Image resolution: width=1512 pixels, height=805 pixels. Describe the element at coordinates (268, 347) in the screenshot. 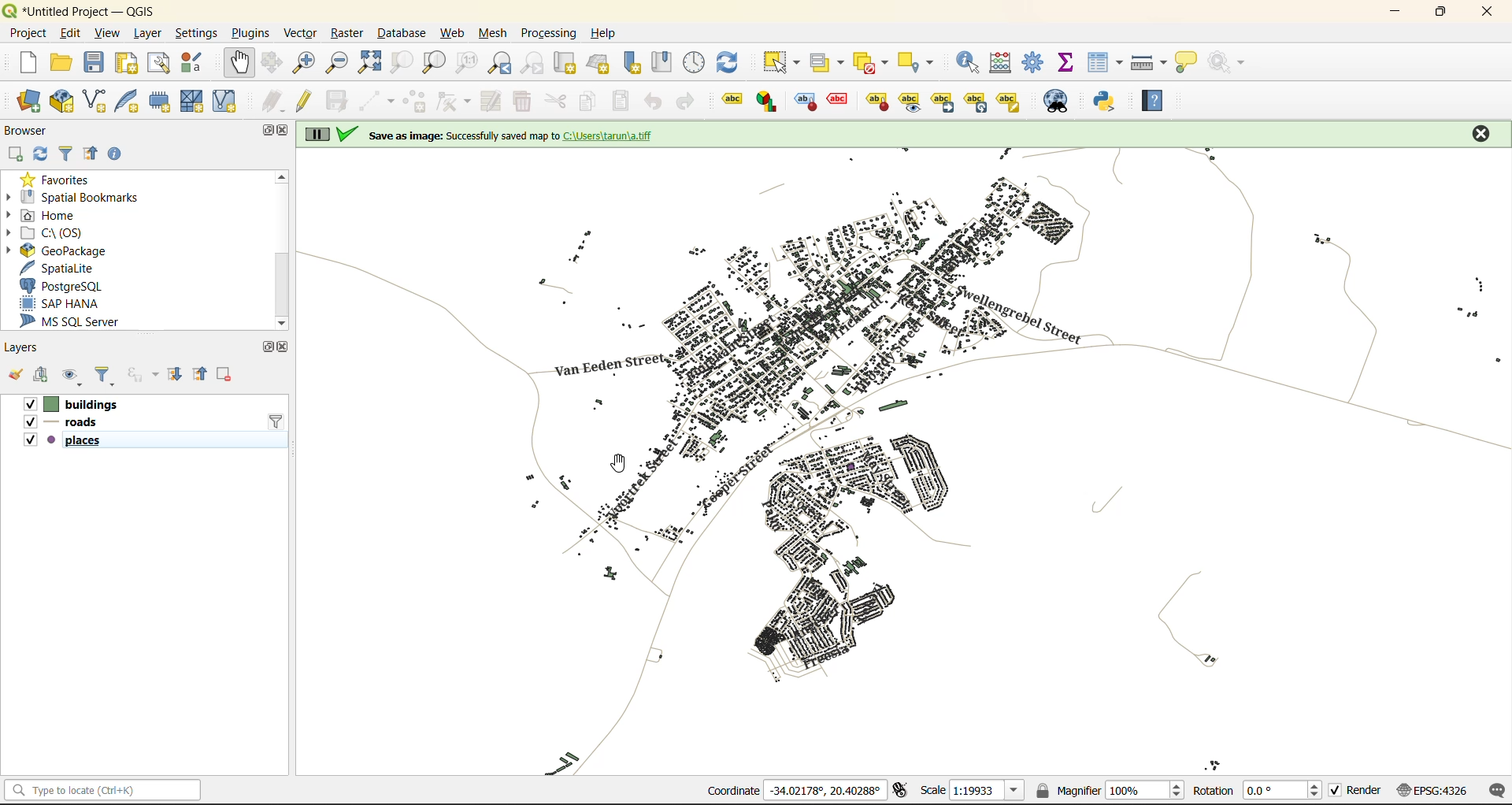

I see `maximize` at that location.